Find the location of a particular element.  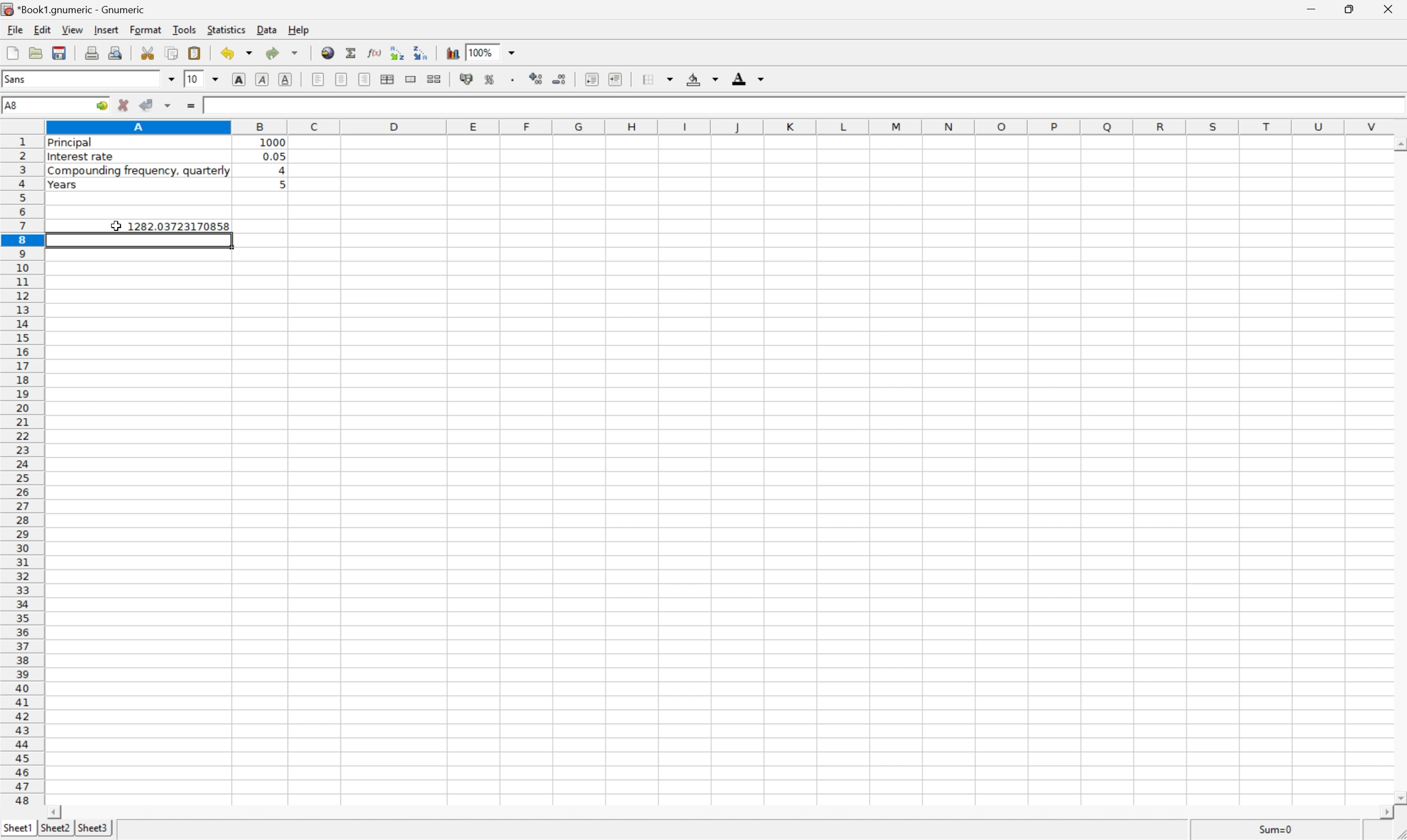

4 is located at coordinates (283, 169).